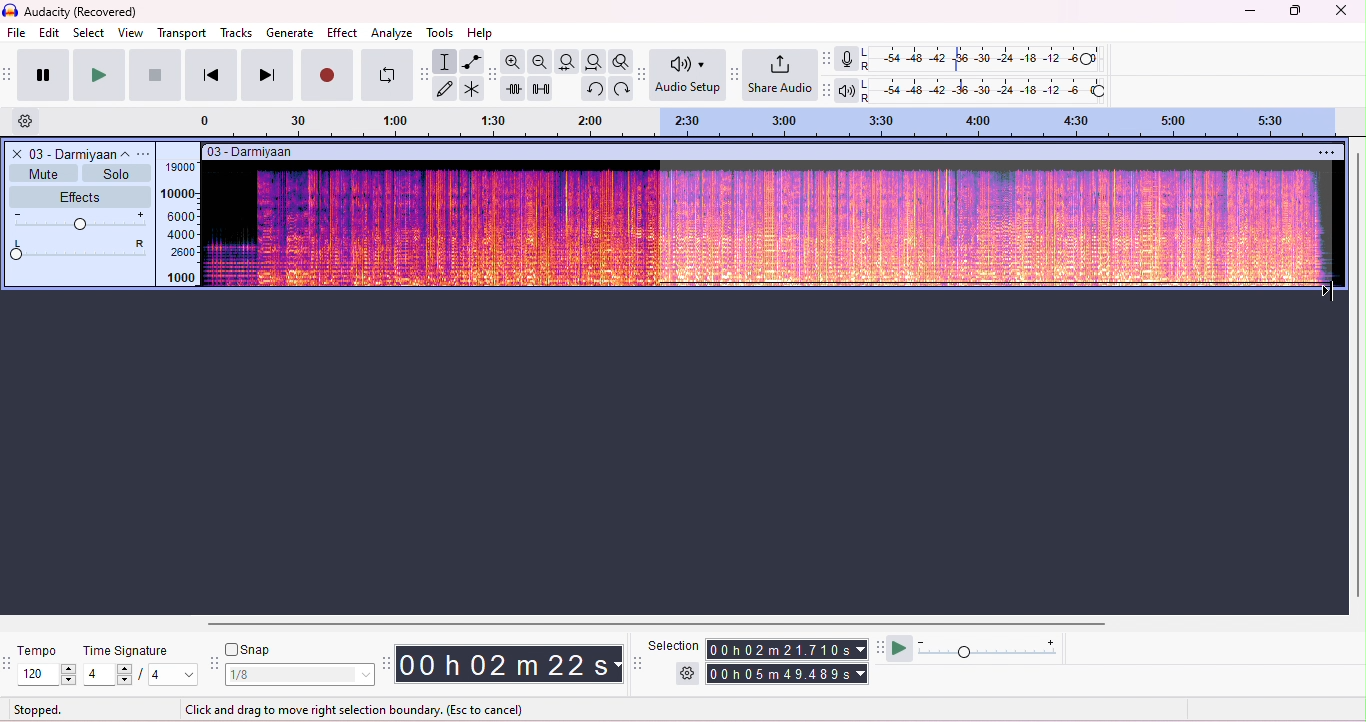  Describe the element at coordinates (342, 34) in the screenshot. I see `effect` at that location.